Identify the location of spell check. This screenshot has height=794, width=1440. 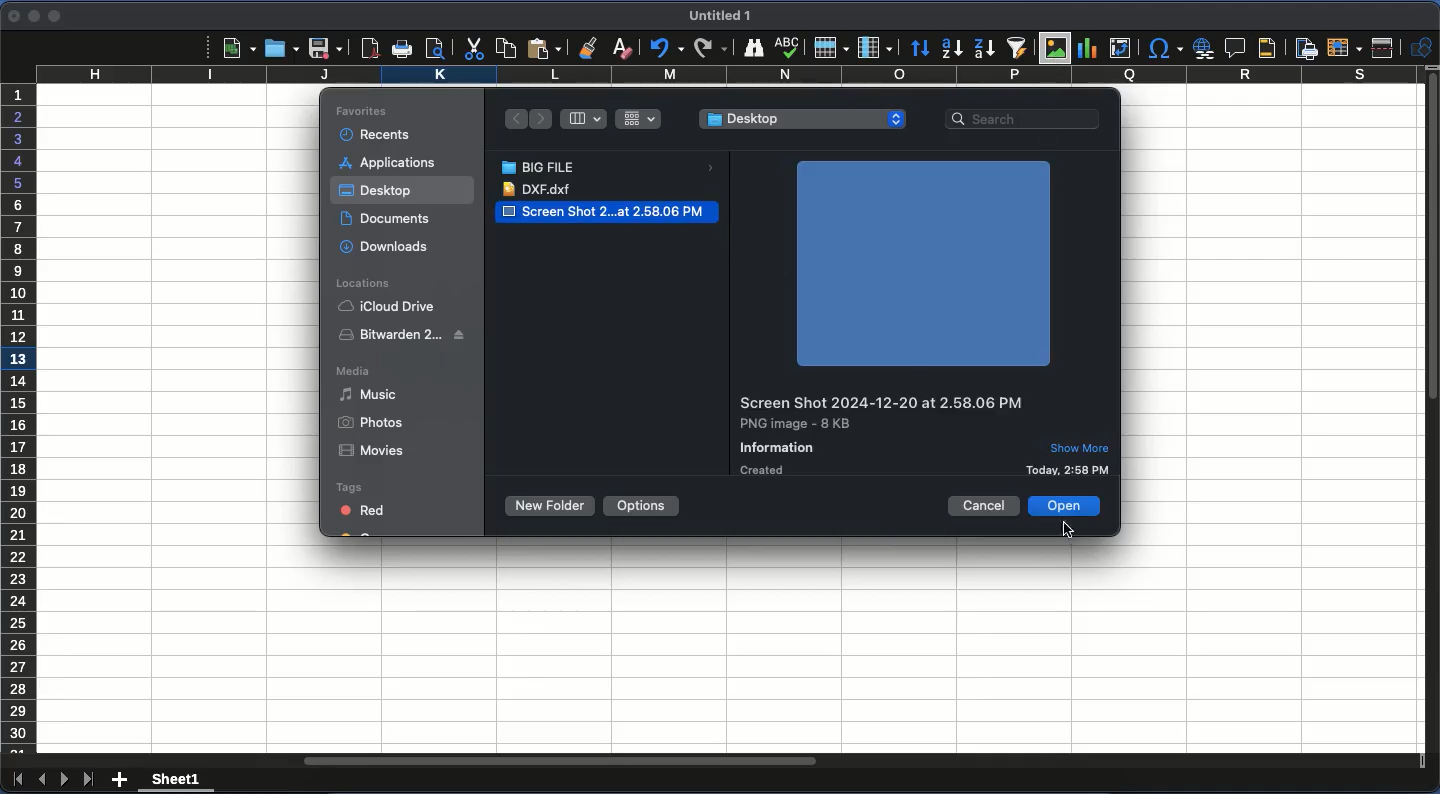
(790, 49).